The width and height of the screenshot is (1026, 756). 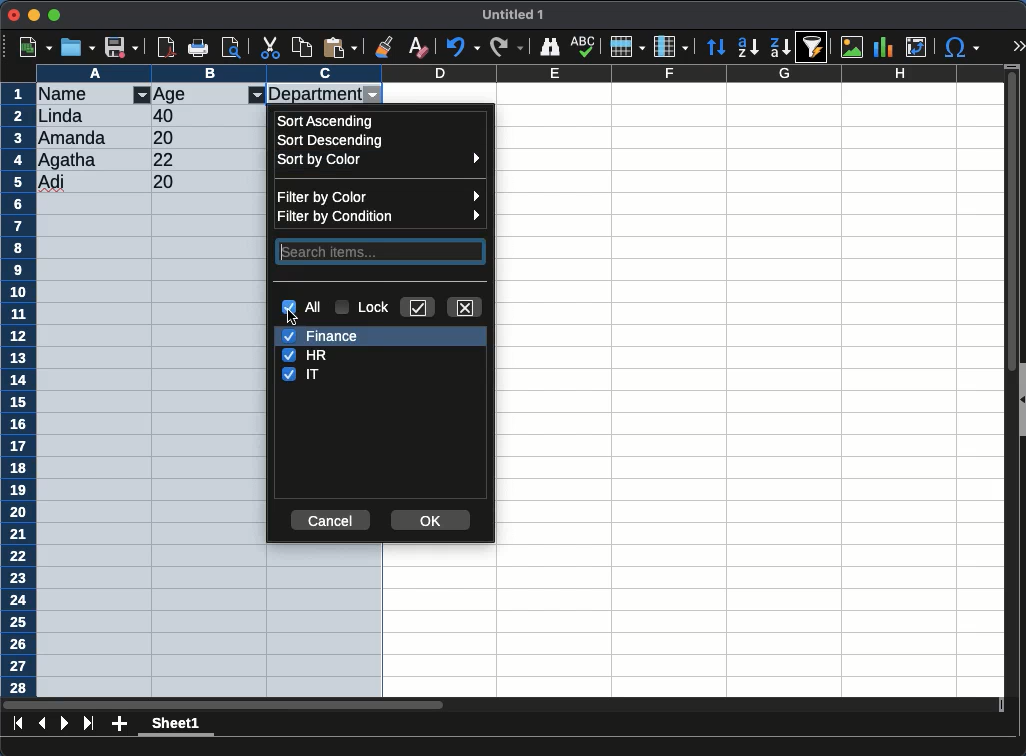 I want to click on filter, so click(x=373, y=96).